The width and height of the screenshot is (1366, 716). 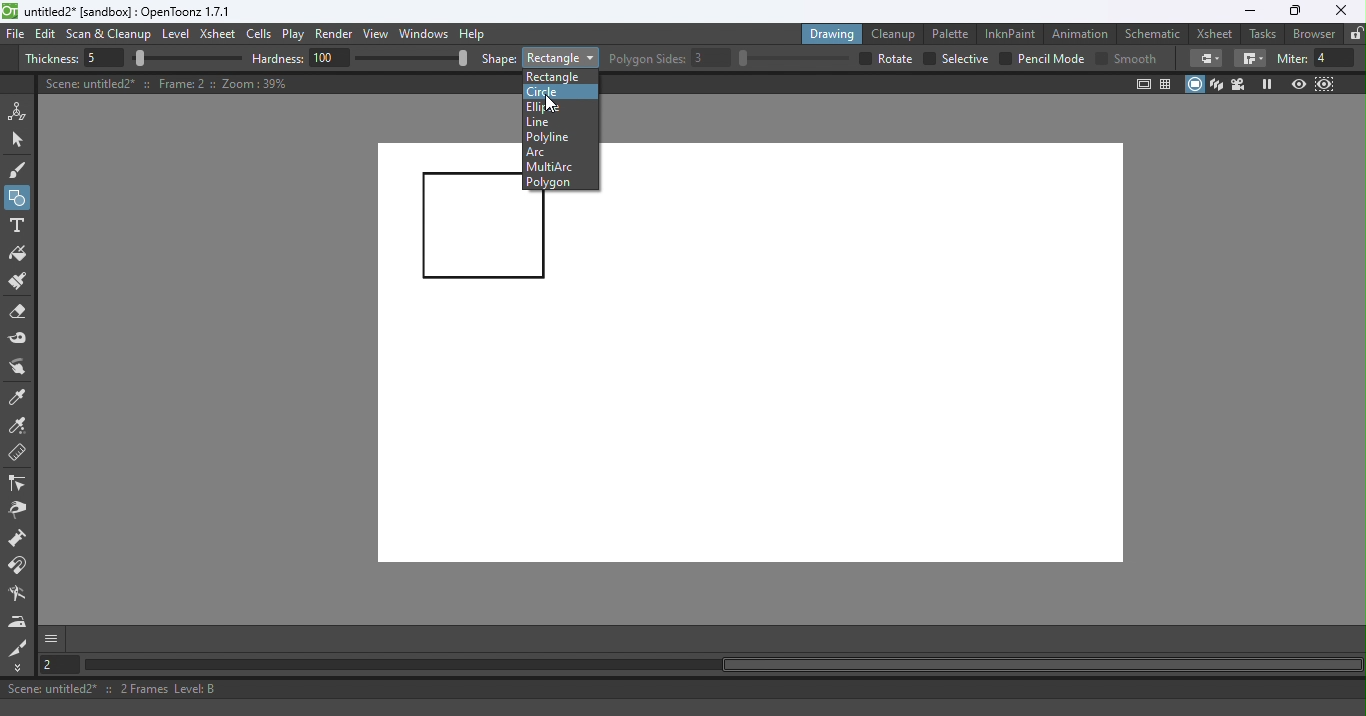 I want to click on Finger tool, so click(x=18, y=369).